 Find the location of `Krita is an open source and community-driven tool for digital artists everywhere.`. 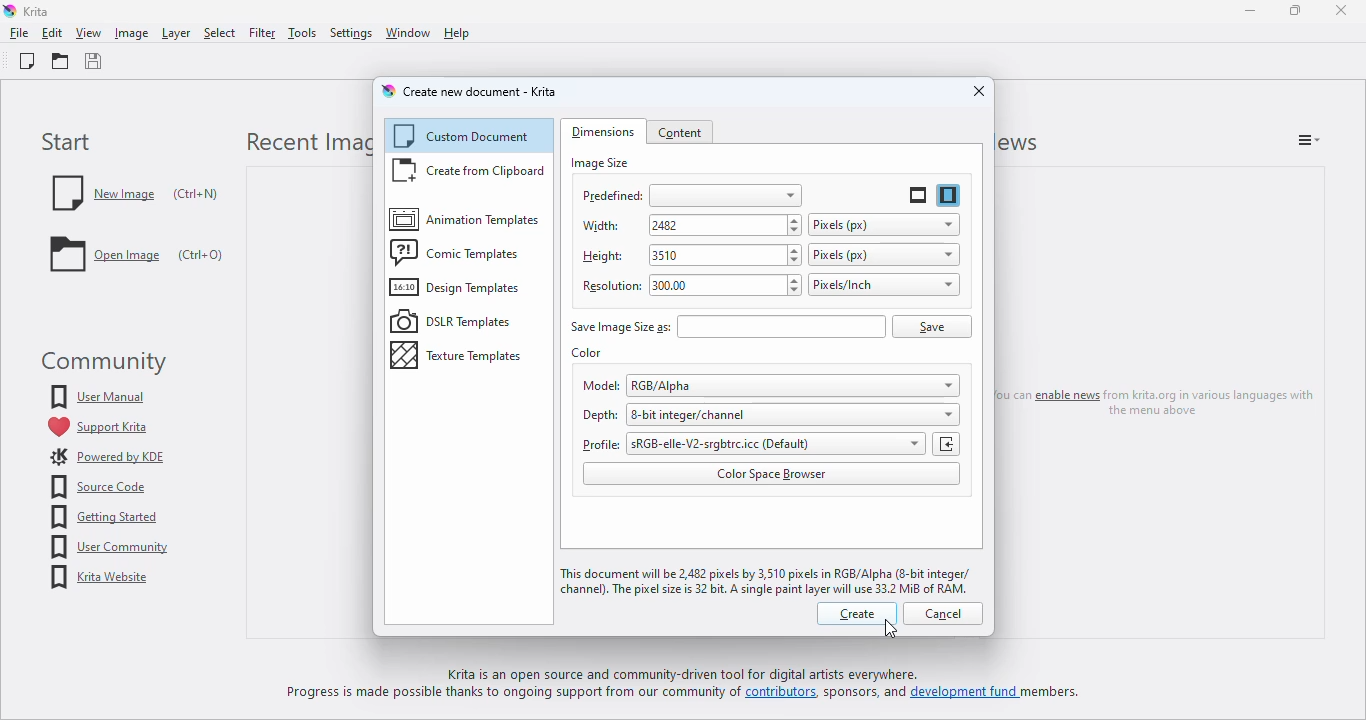

Krita is an open source and community-driven tool for digital artists everywhere. is located at coordinates (706, 674).